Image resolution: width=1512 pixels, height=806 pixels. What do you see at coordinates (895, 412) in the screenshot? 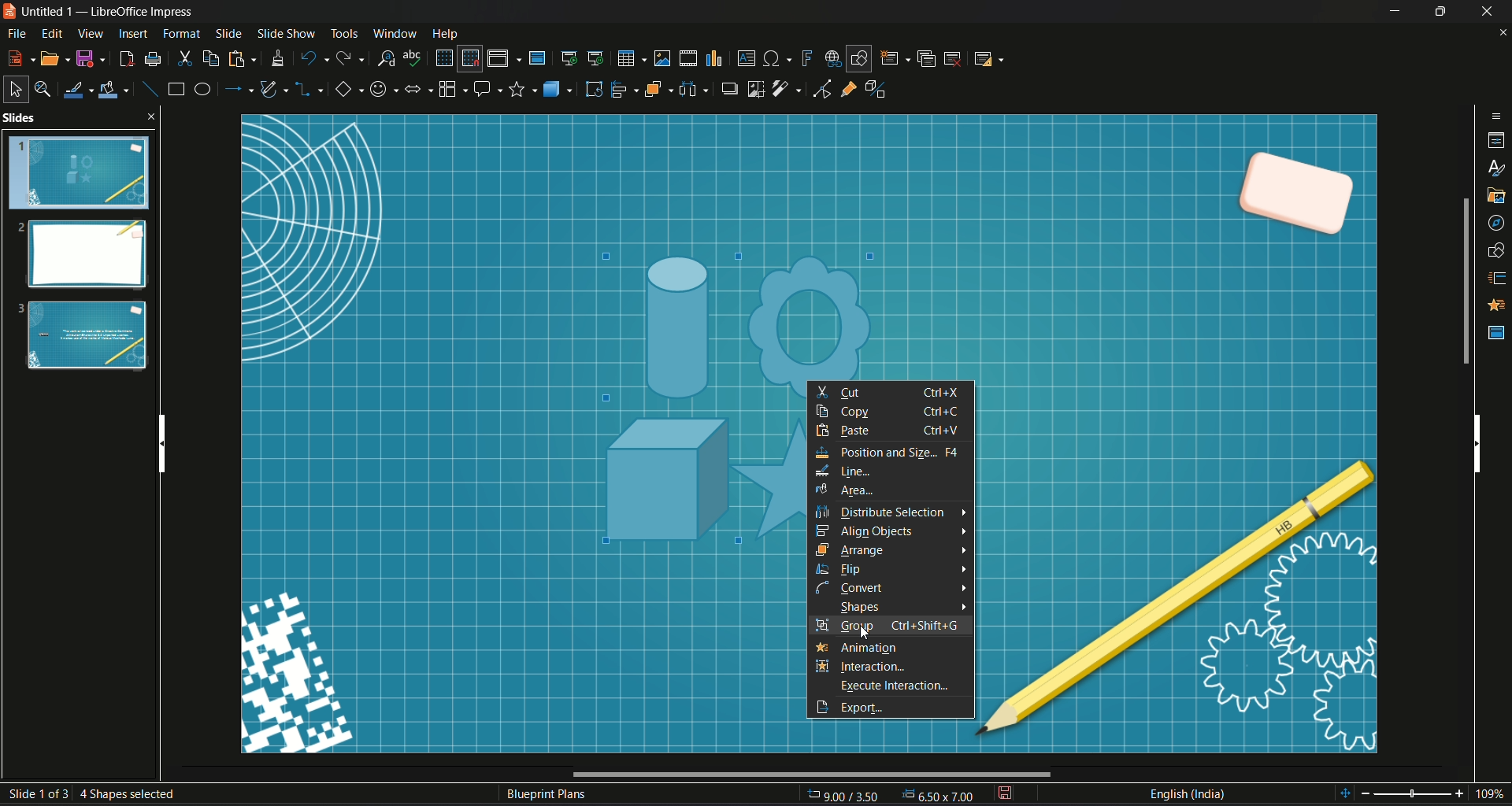
I see `copy` at bounding box center [895, 412].